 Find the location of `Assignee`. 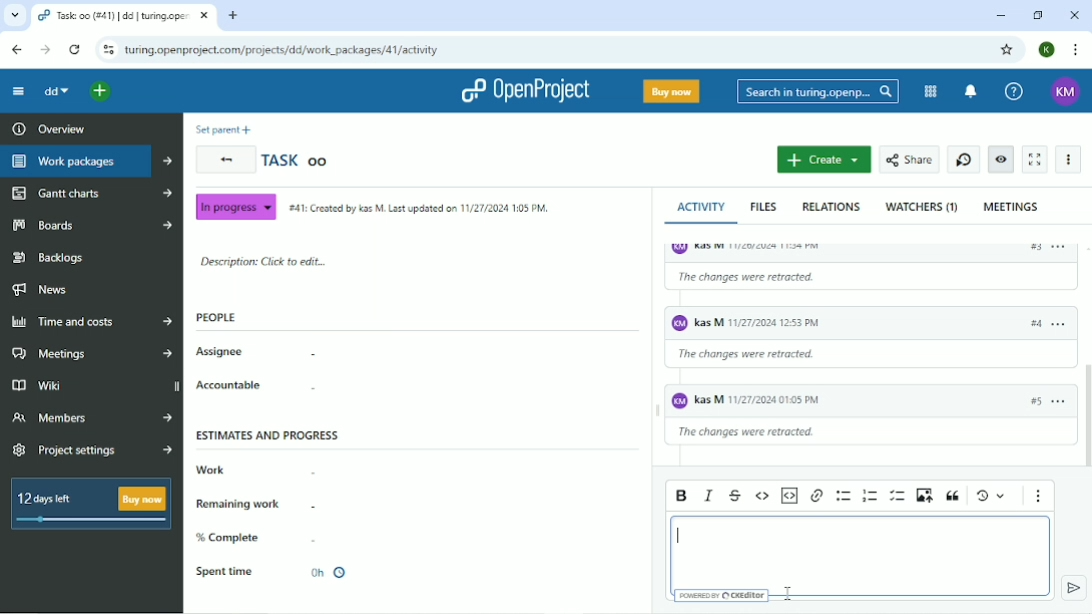

Assignee is located at coordinates (255, 353).